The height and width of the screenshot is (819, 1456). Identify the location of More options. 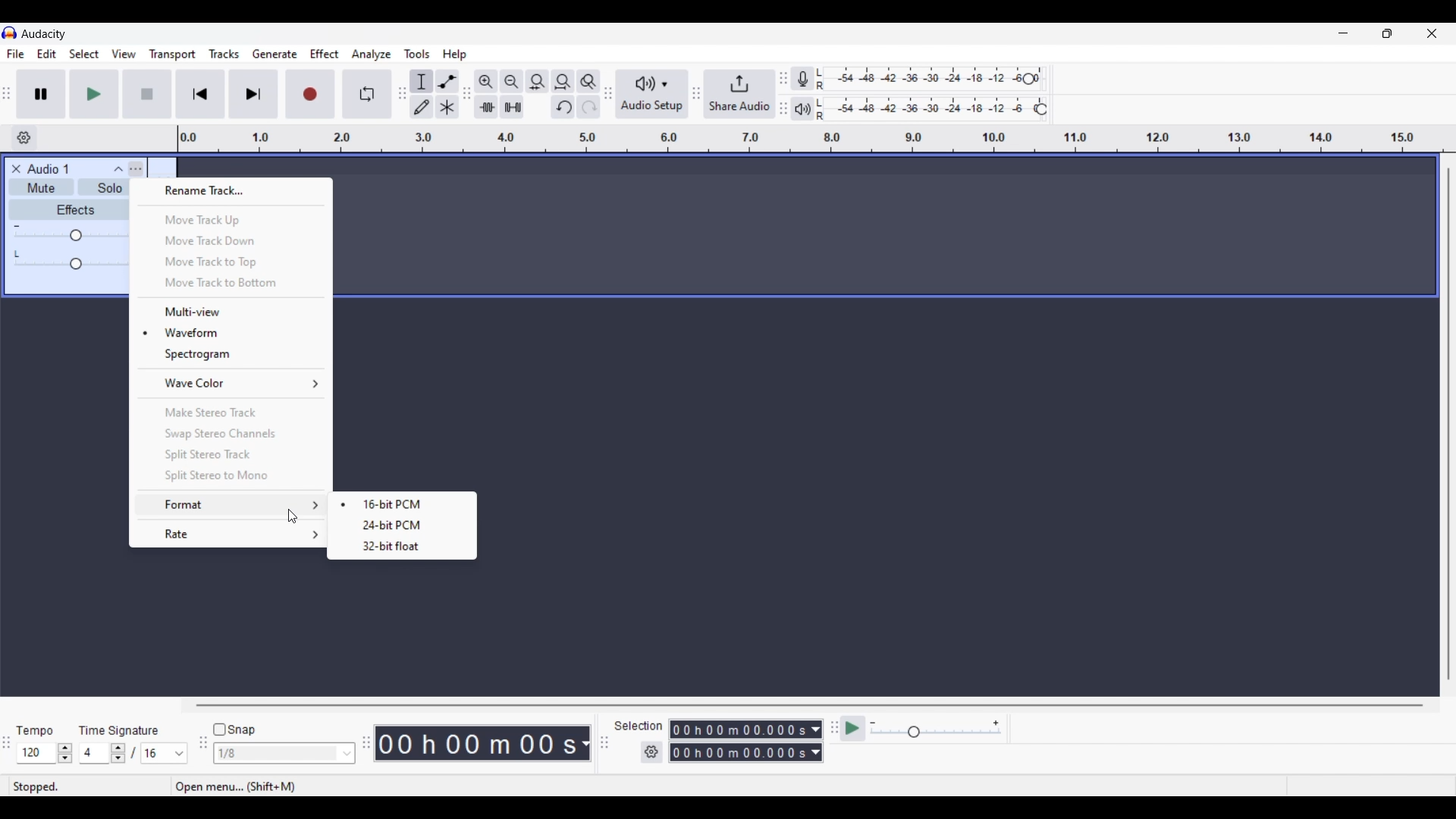
(127, 168).